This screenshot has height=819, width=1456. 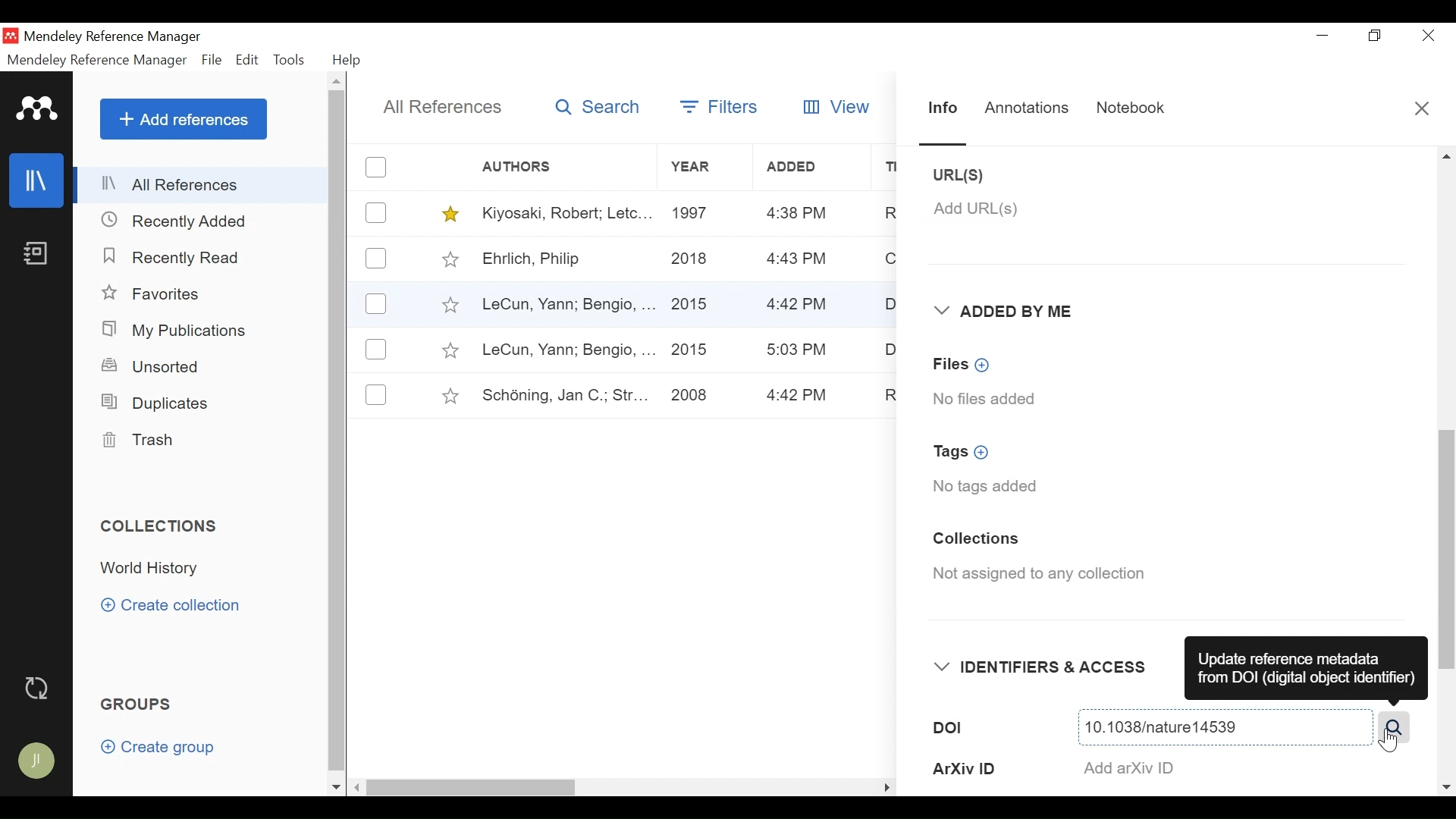 What do you see at coordinates (376, 213) in the screenshot?
I see `(un)select` at bounding box center [376, 213].